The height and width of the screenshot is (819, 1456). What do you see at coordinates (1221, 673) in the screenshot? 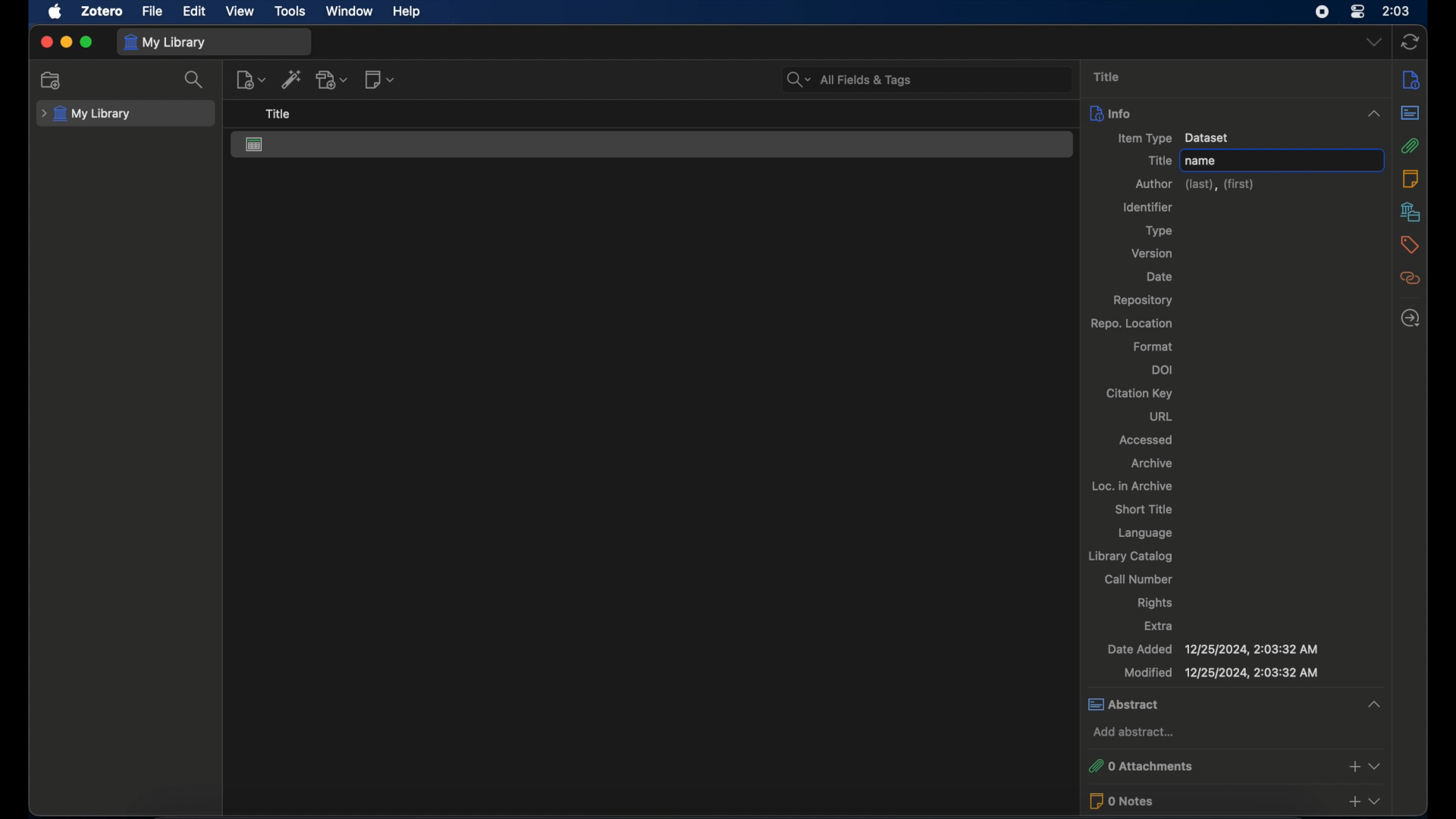
I see `modified` at bounding box center [1221, 673].